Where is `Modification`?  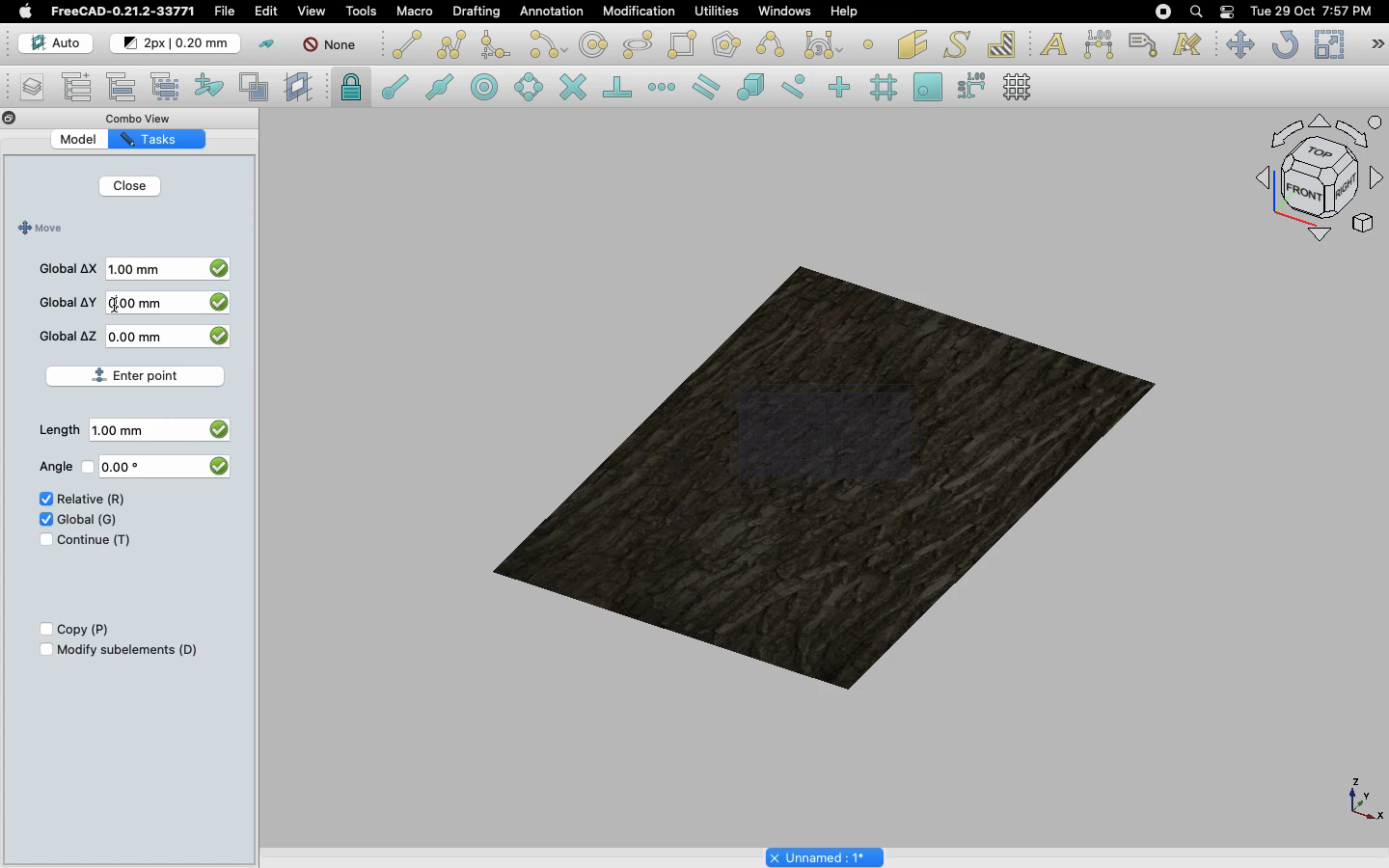
Modification is located at coordinates (643, 14).